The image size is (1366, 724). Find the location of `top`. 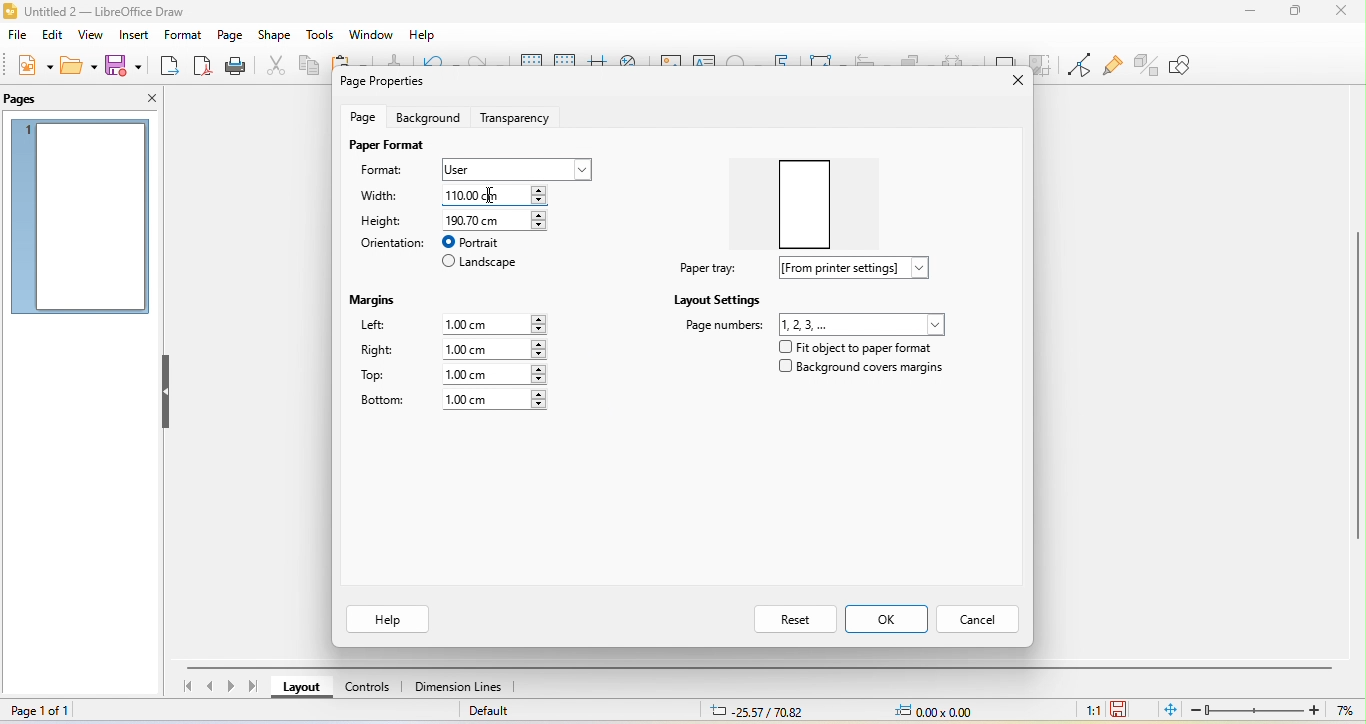

top is located at coordinates (382, 376).